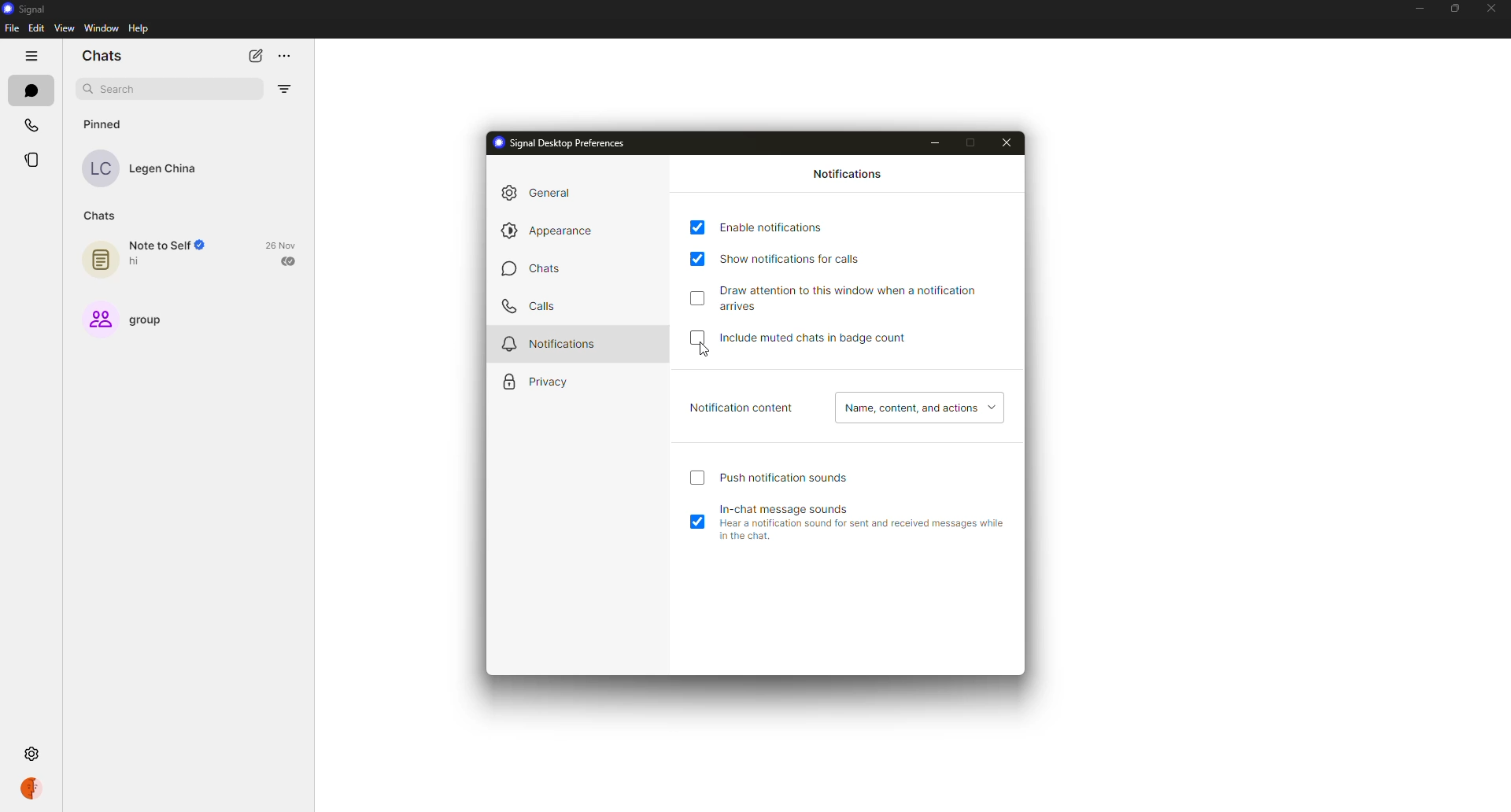 This screenshot has width=1511, height=812. Describe the element at coordinates (31, 56) in the screenshot. I see `hide tabs` at that location.